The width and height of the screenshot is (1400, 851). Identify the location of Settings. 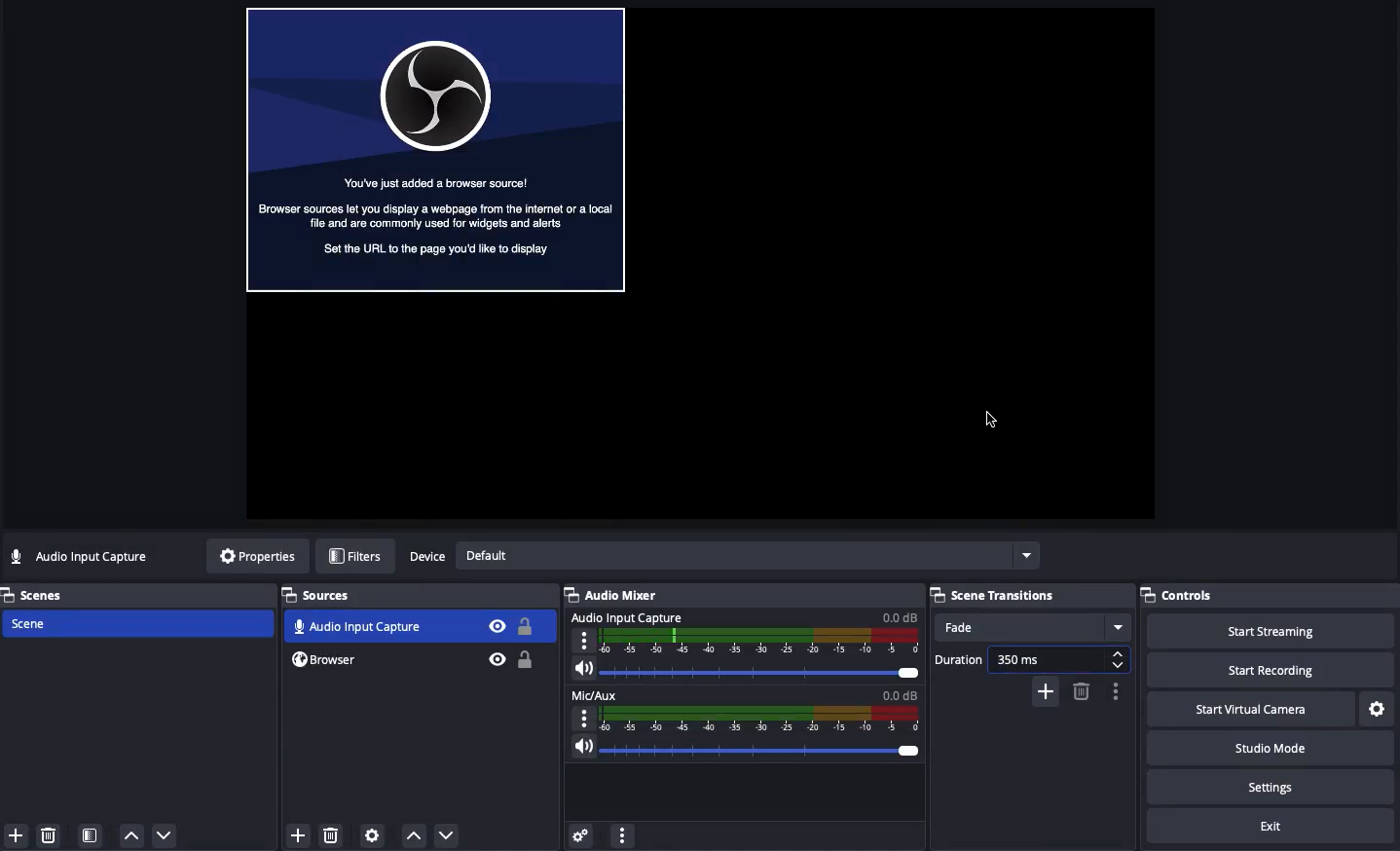
(1271, 788).